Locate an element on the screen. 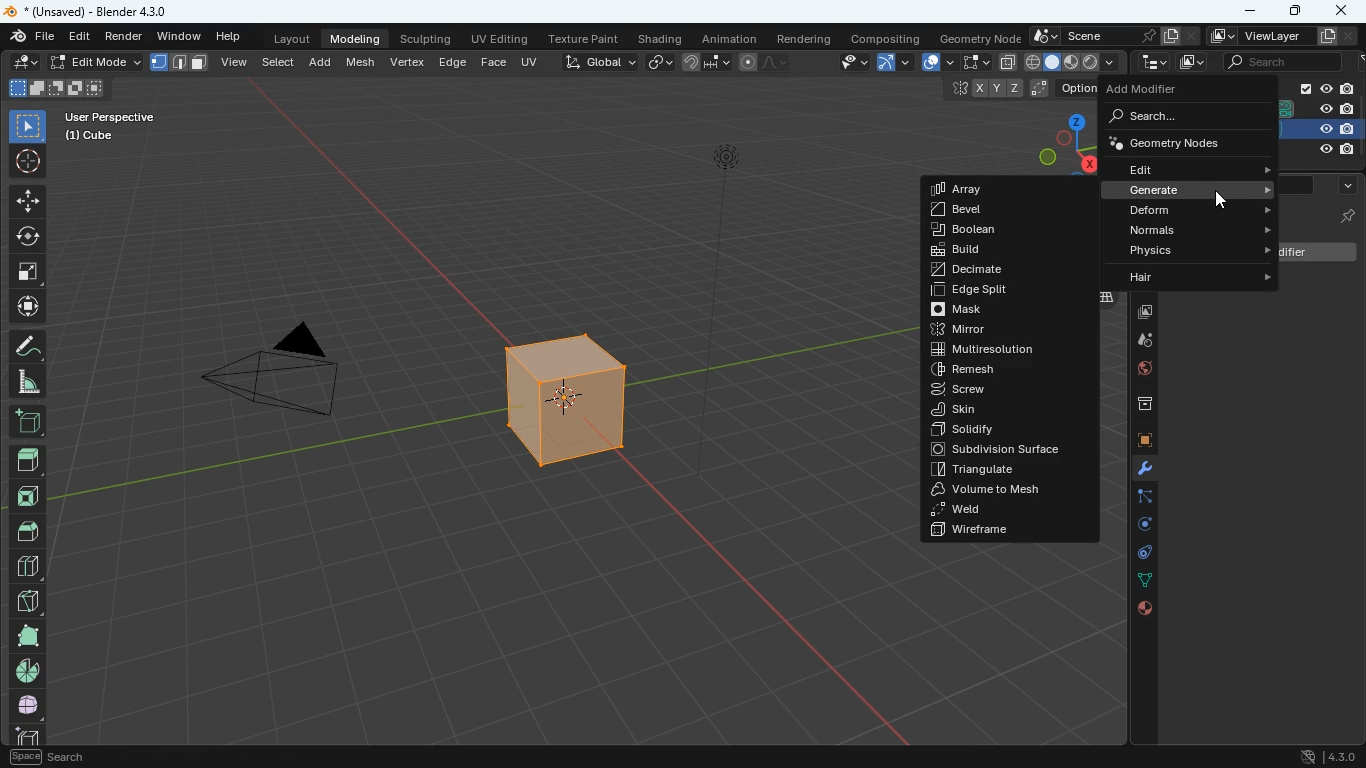  boclean is located at coordinates (979, 229).